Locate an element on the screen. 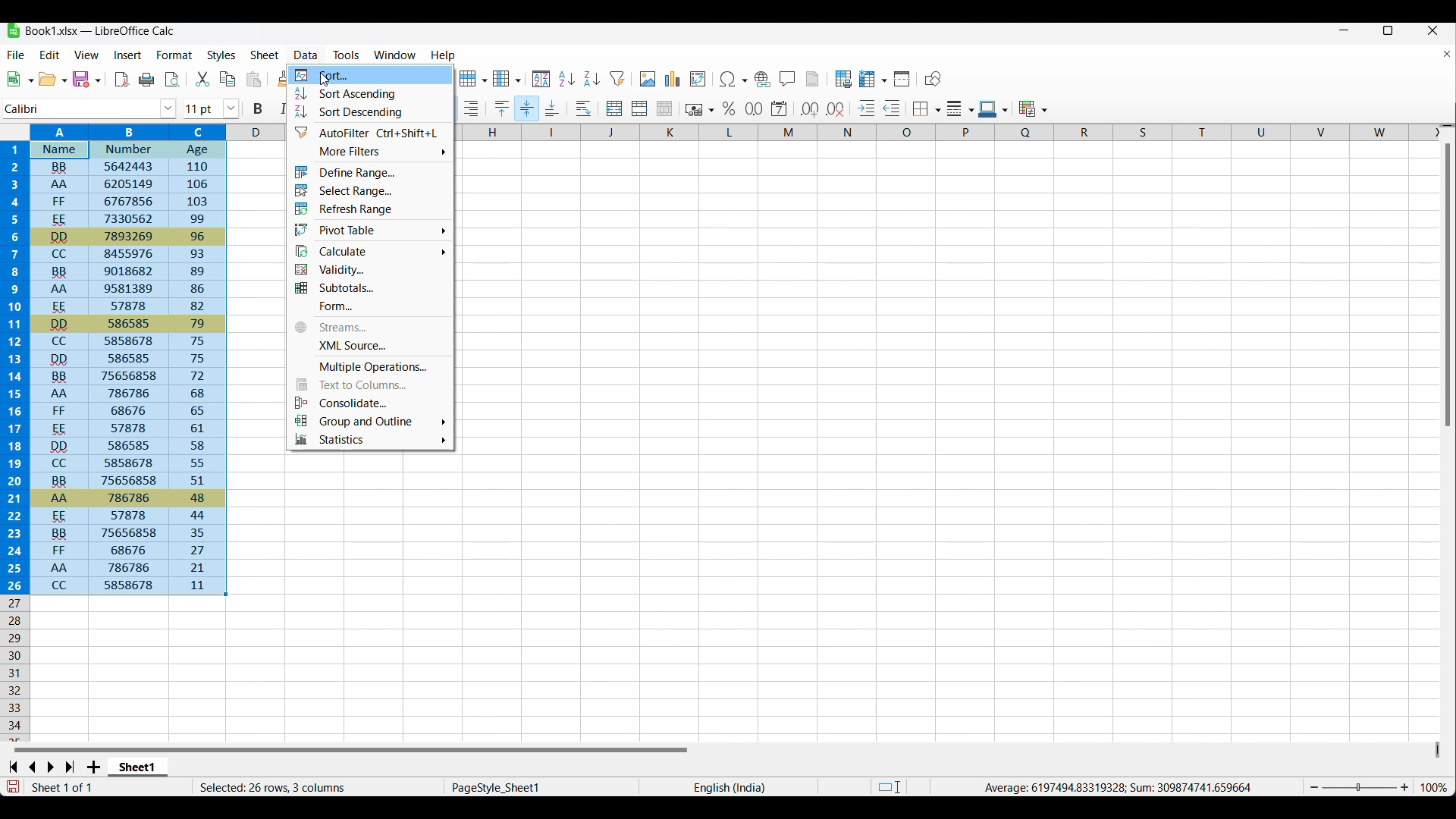 The image size is (1456, 819). Current sheet out of total number of sheet in the workbook is located at coordinates (93, 787).